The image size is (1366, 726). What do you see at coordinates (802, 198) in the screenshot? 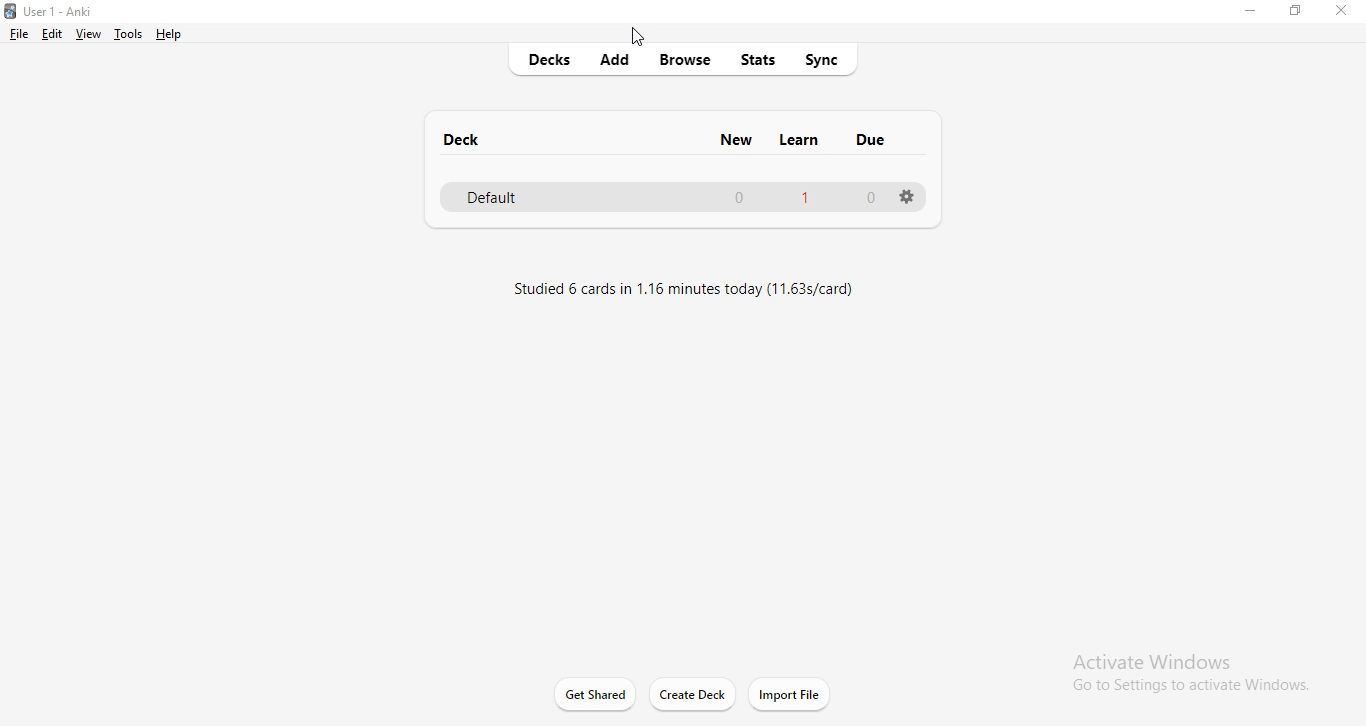
I see `1` at bounding box center [802, 198].